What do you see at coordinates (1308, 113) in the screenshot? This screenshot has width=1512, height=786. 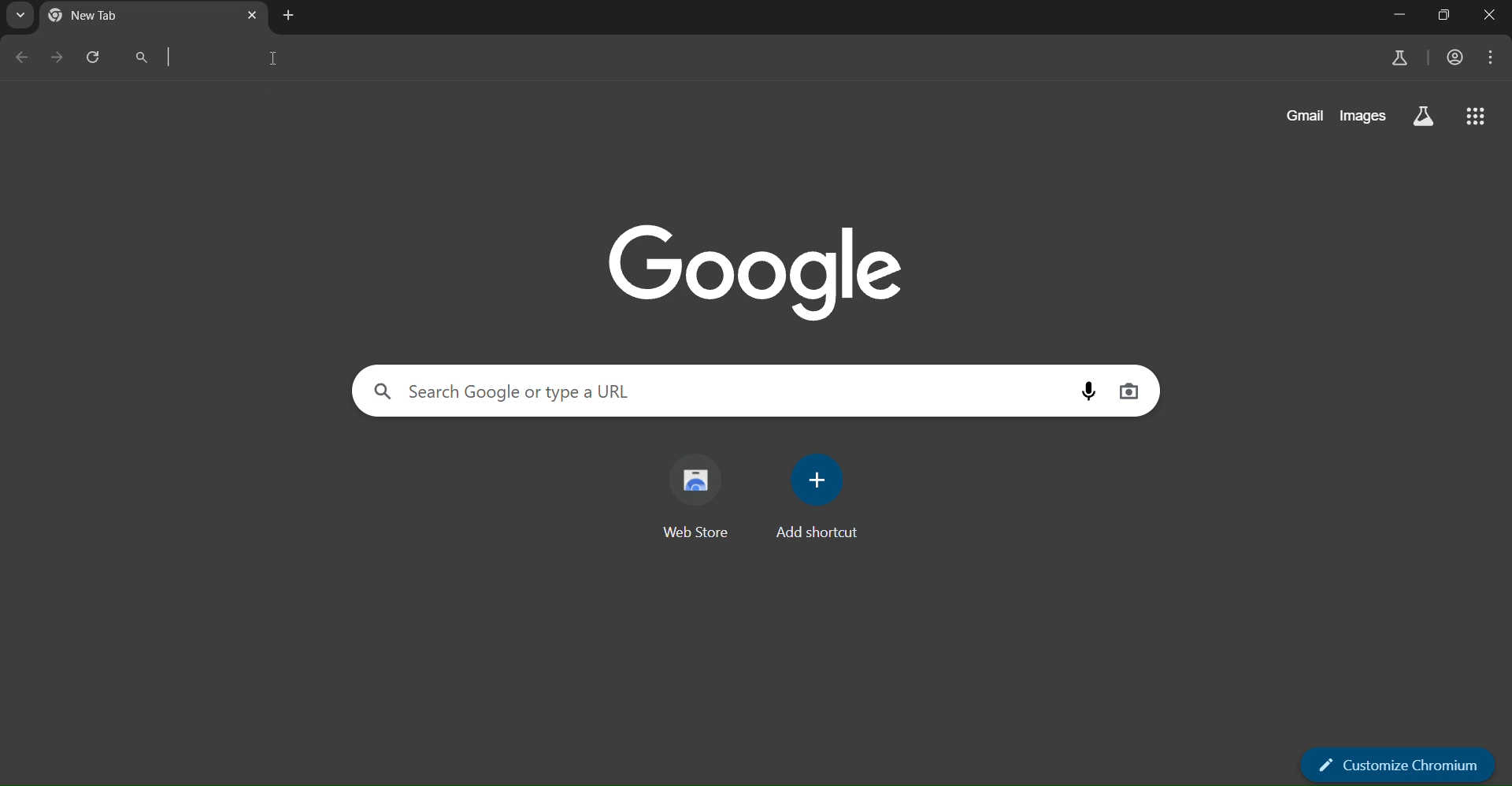 I see `gmail` at bounding box center [1308, 113].